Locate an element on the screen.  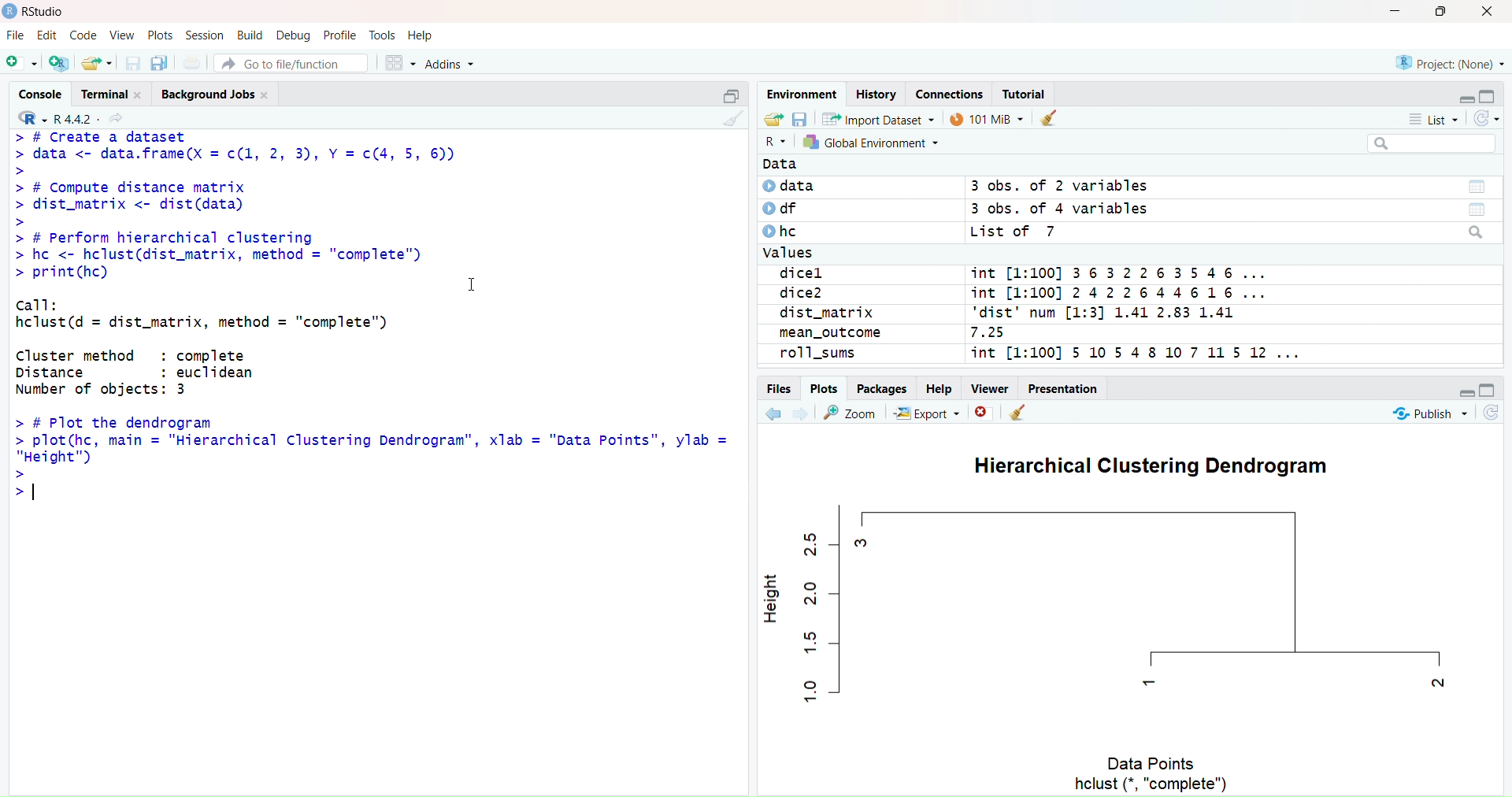
Terminal is located at coordinates (109, 94).